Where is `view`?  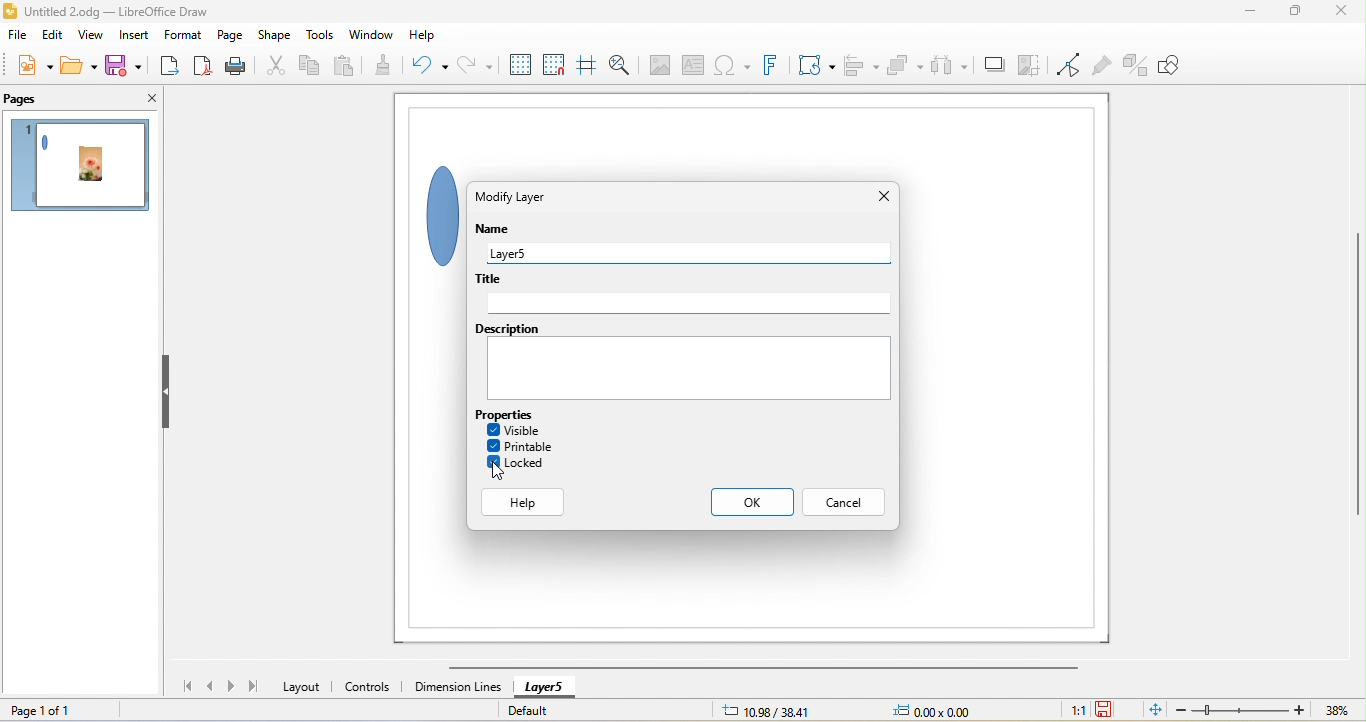
view is located at coordinates (91, 37).